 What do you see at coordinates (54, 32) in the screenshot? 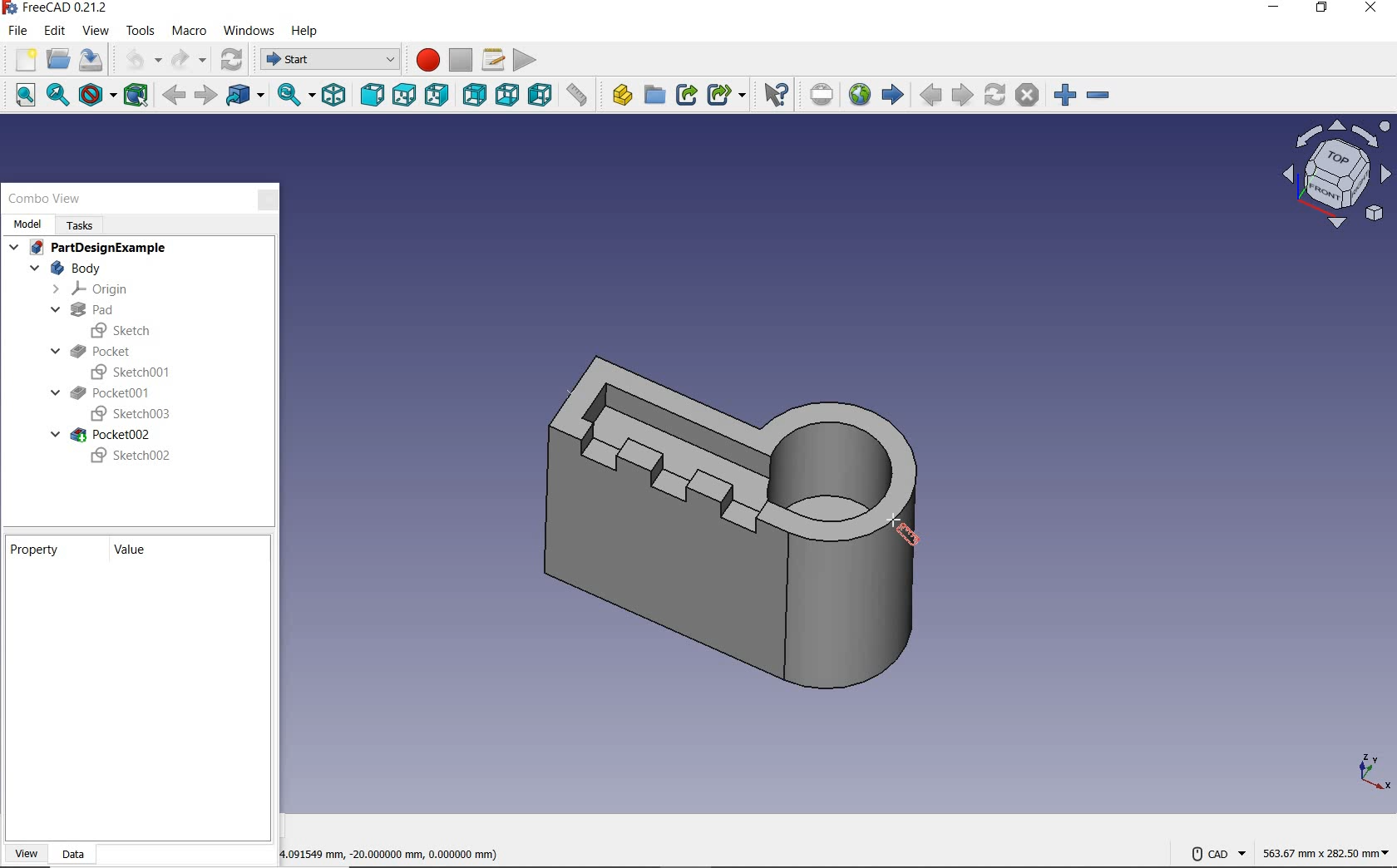
I see `edit` at bounding box center [54, 32].